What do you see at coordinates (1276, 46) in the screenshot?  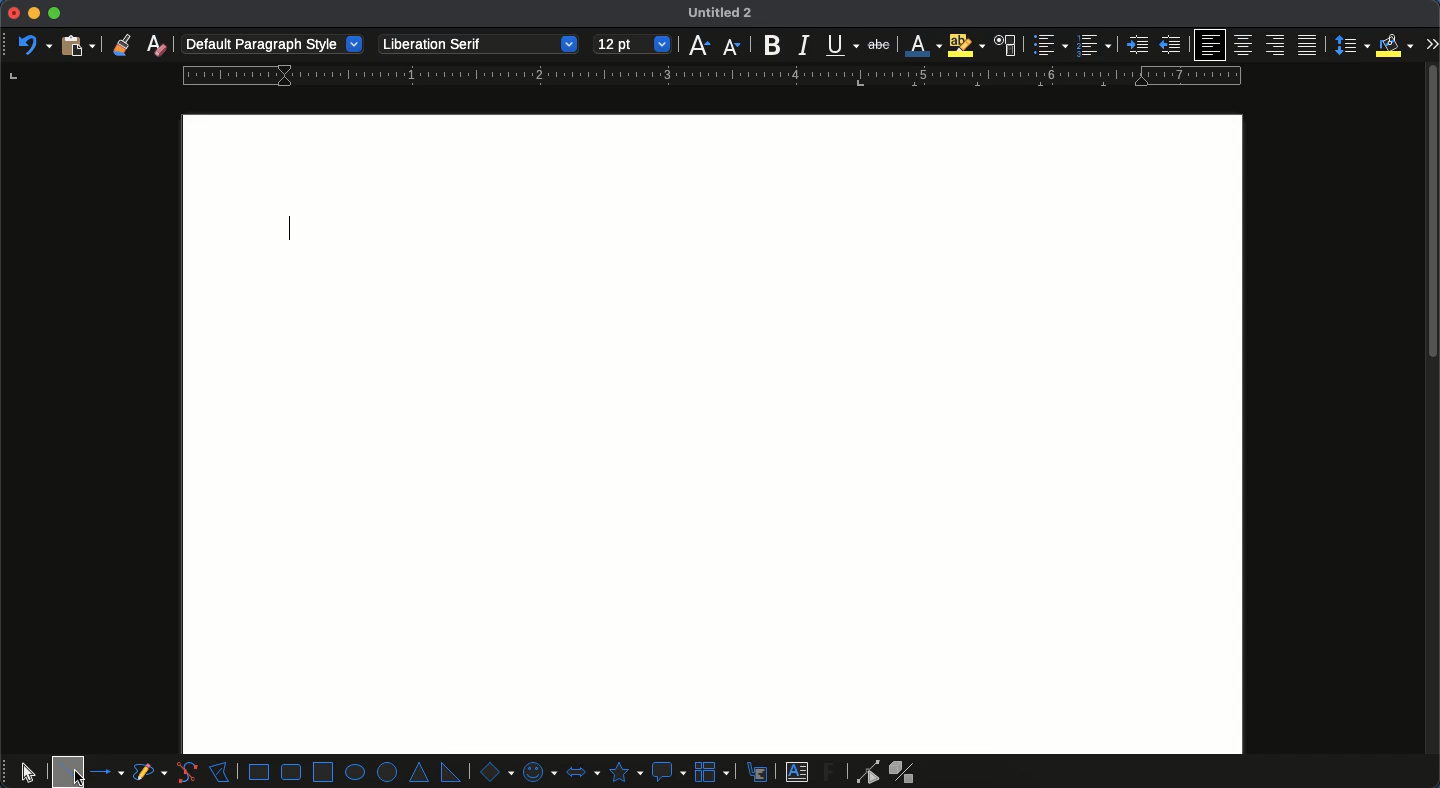 I see `right align` at bounding box center [1276, 46].